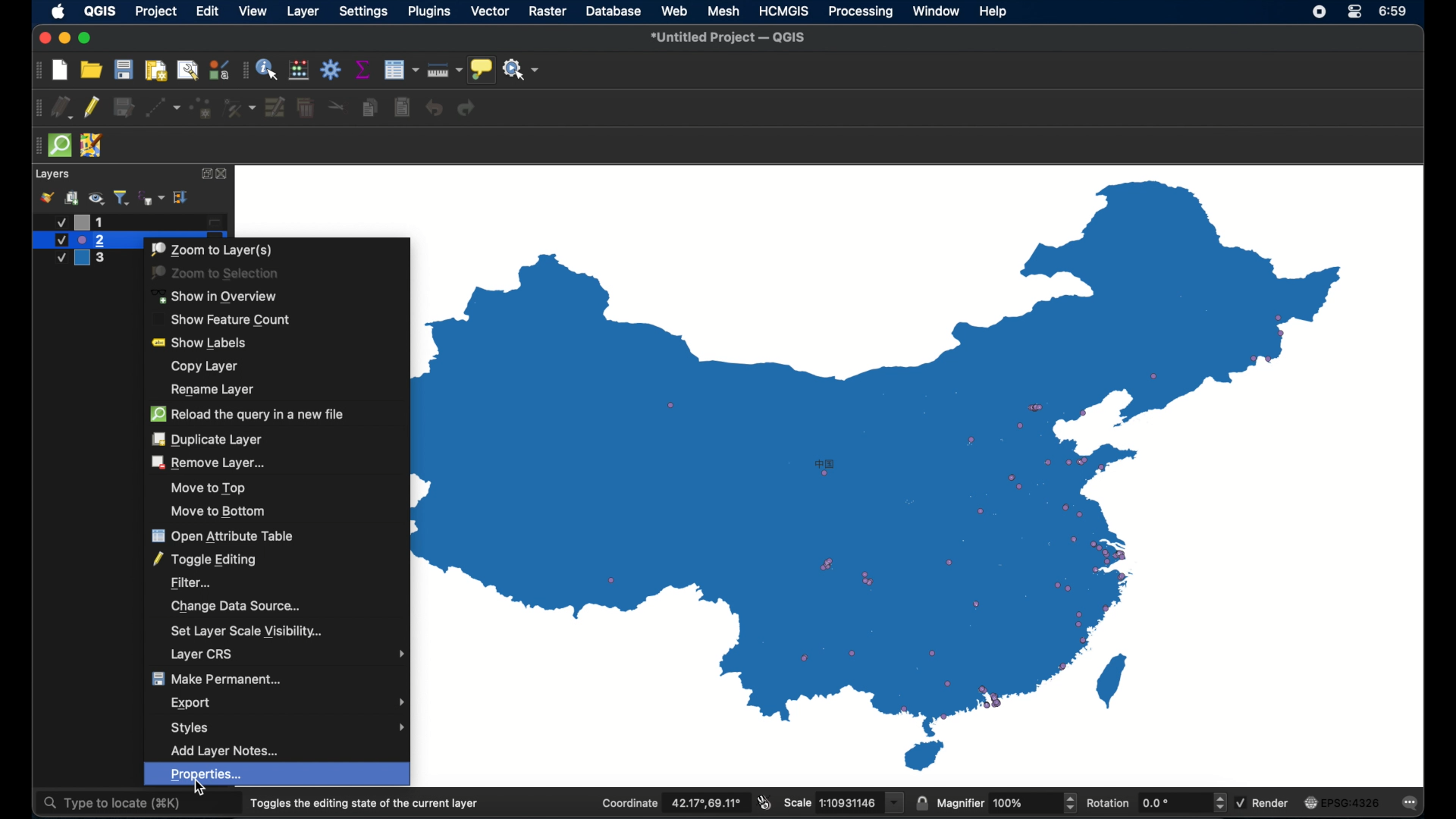 The width and height of the screenshot is (1456, 819). I want to click on properties, so click(277, 774).